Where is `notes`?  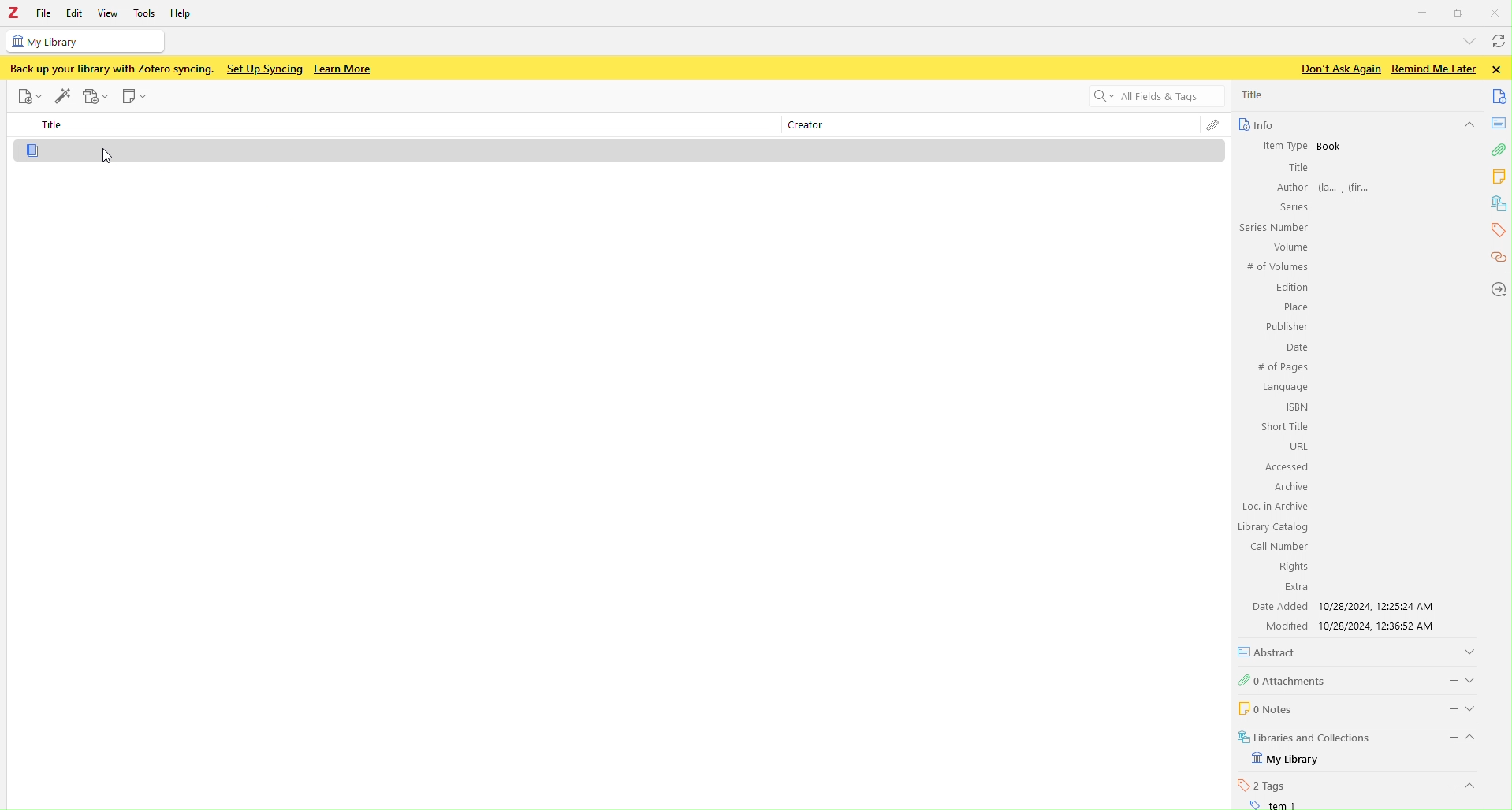
notes is located at coordinates (1500, 123).